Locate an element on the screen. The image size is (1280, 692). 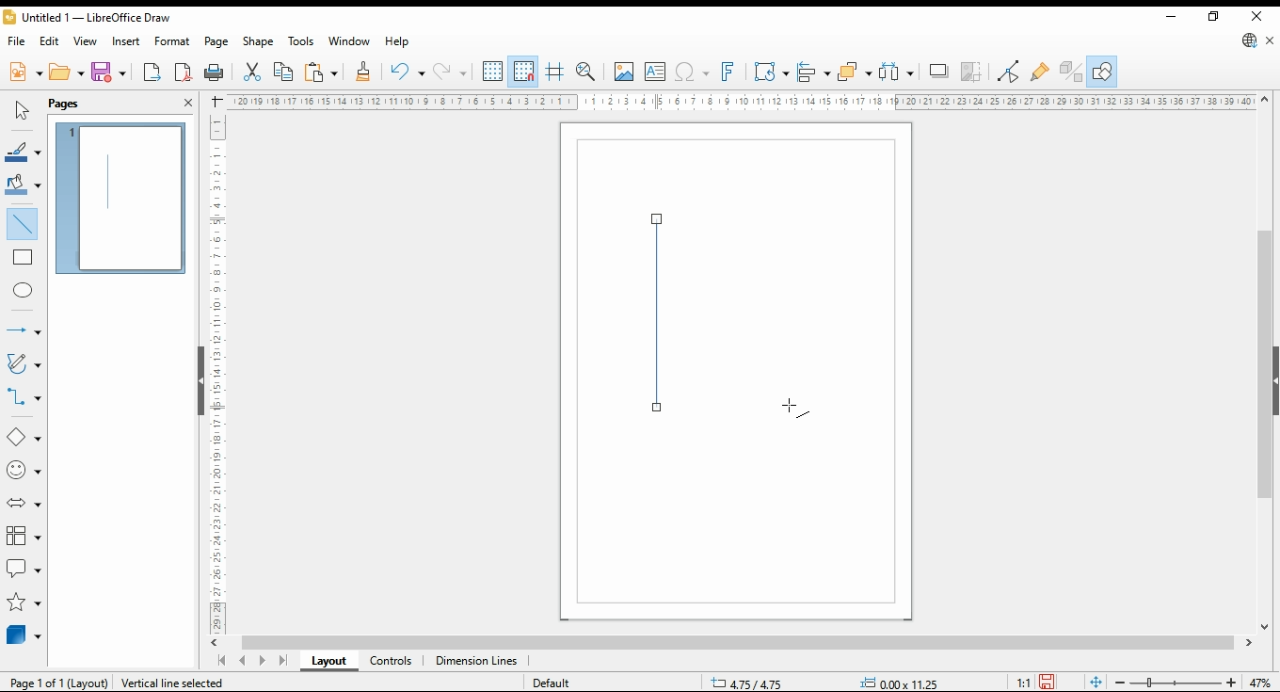
zoom slider is located at coordinates (1176, 684).